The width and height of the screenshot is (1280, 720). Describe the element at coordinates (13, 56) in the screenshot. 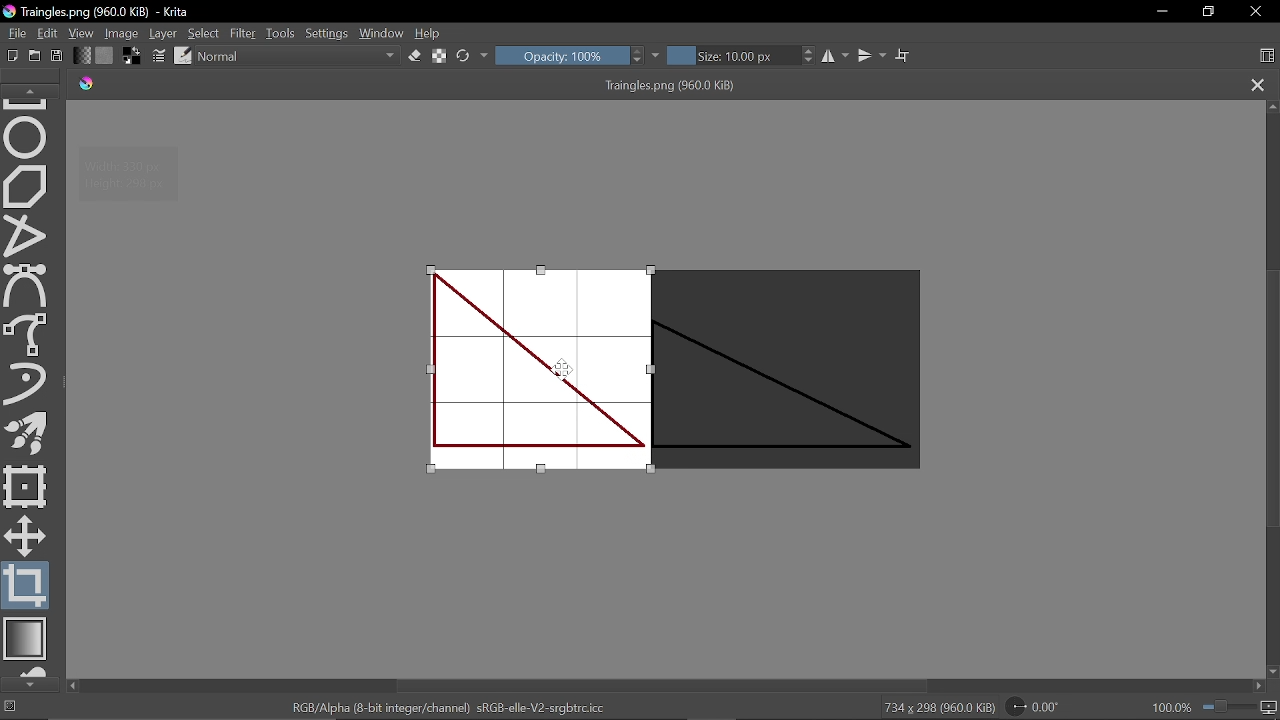

I see `Create new document` at that location.